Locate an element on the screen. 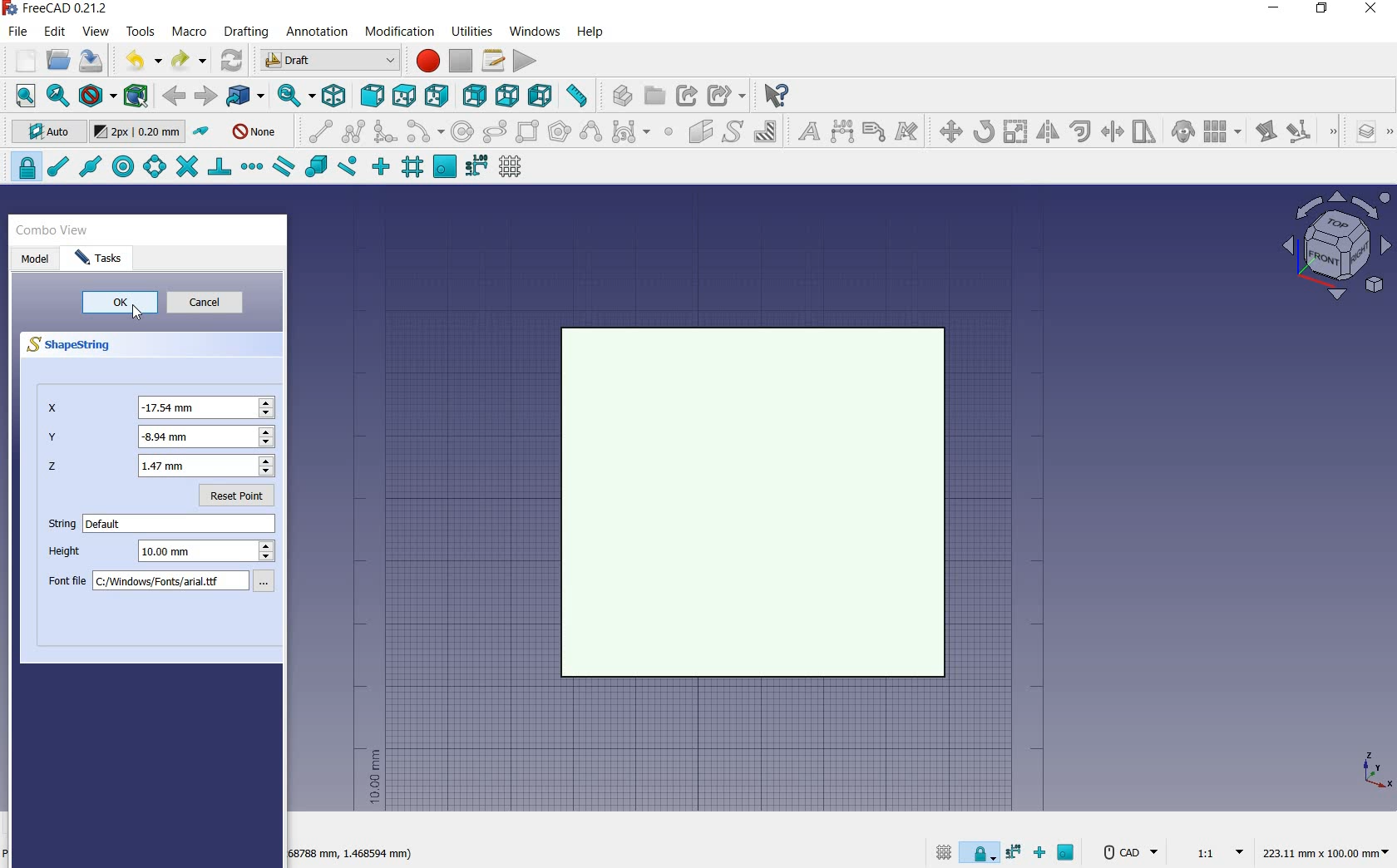  draft utility tools is located at coordinates (1388, 133).